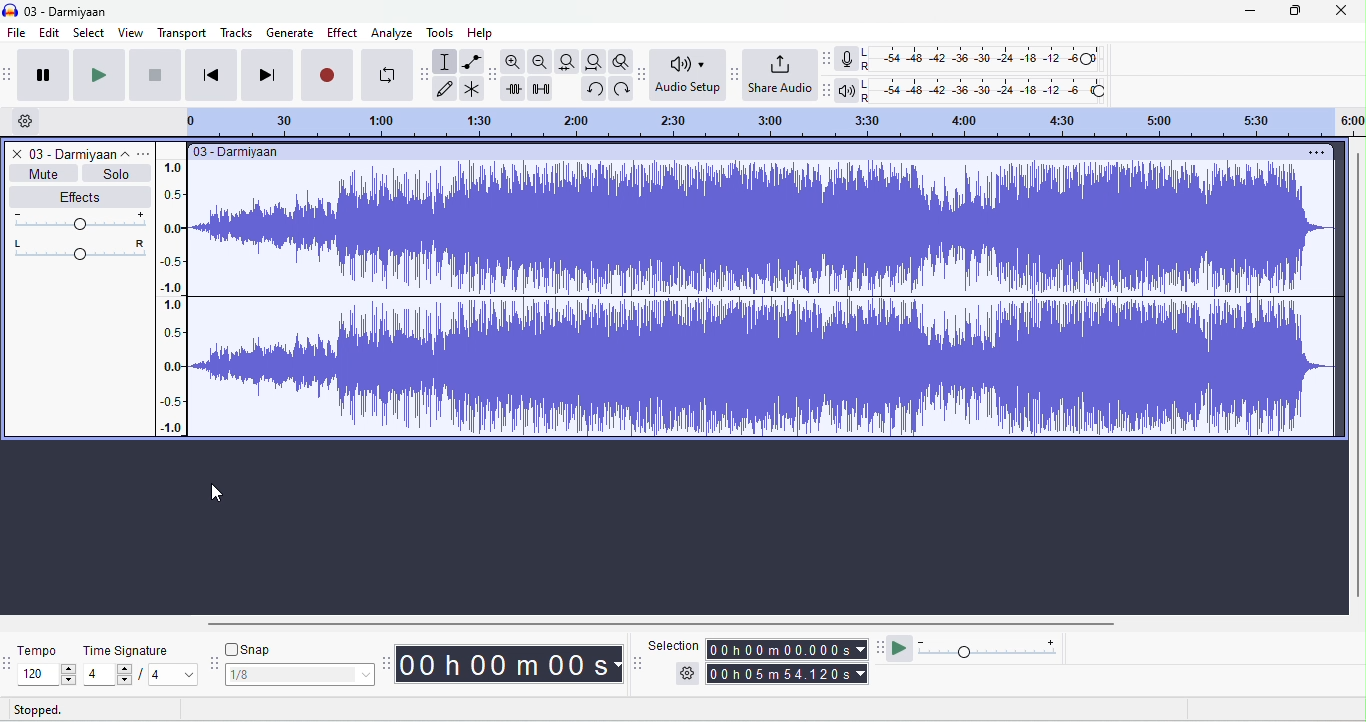  I want to click on pan, so click(78, 250).